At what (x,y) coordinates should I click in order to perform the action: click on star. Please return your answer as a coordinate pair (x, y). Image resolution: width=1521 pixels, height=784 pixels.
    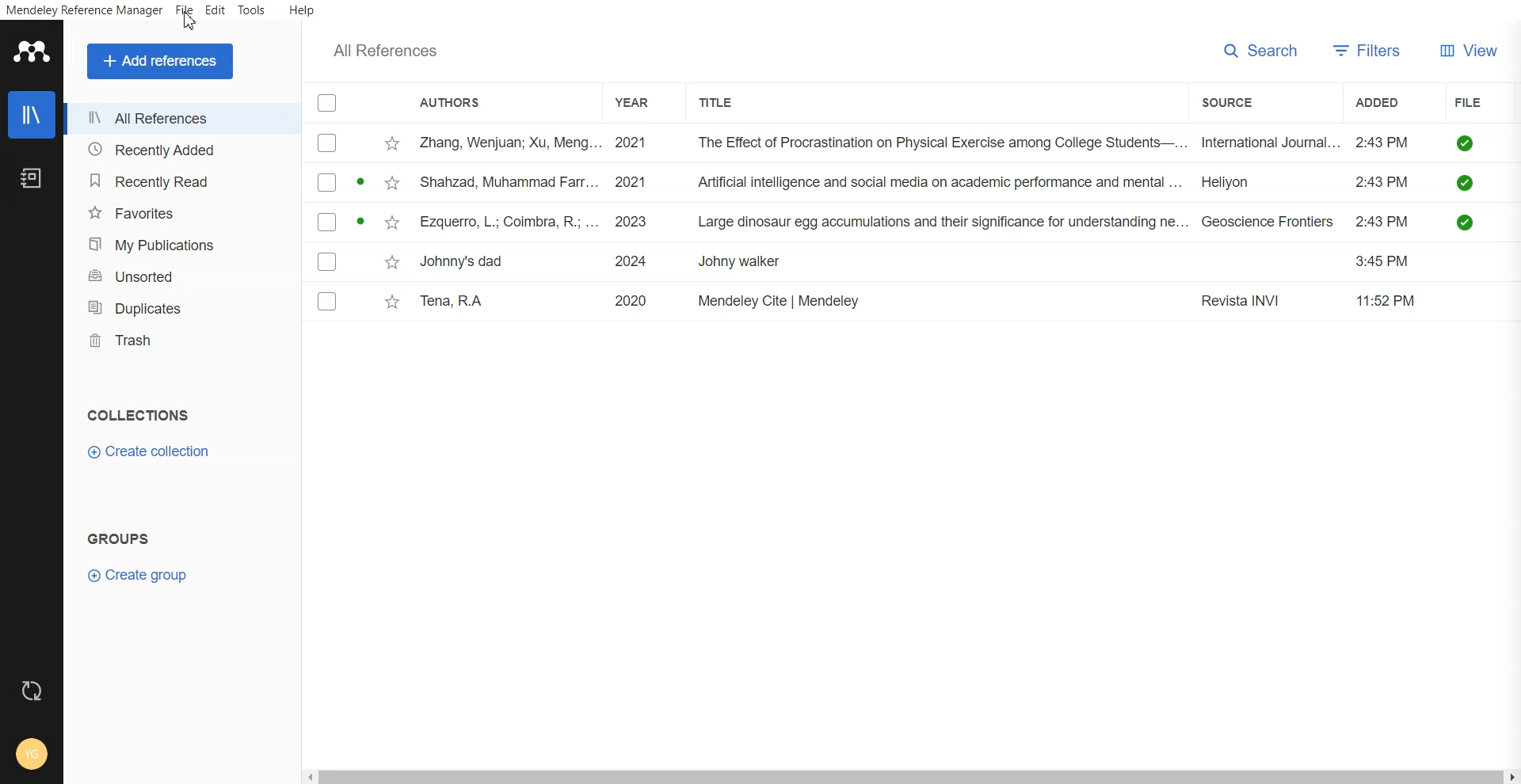
    Looking at the image, I should click on (390, 262).